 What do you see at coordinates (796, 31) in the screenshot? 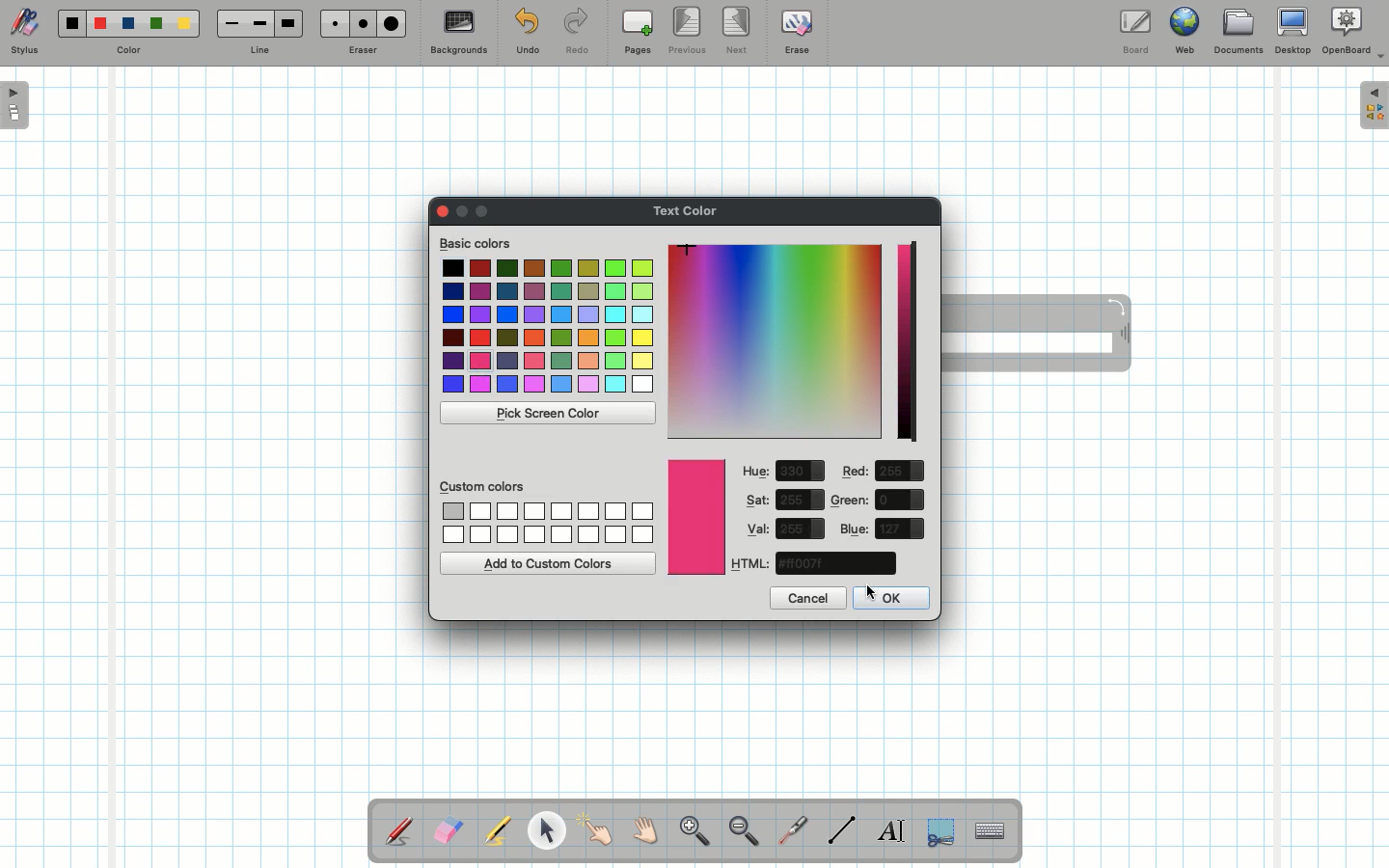
I see `Erase` at bounding box center [796, 31].